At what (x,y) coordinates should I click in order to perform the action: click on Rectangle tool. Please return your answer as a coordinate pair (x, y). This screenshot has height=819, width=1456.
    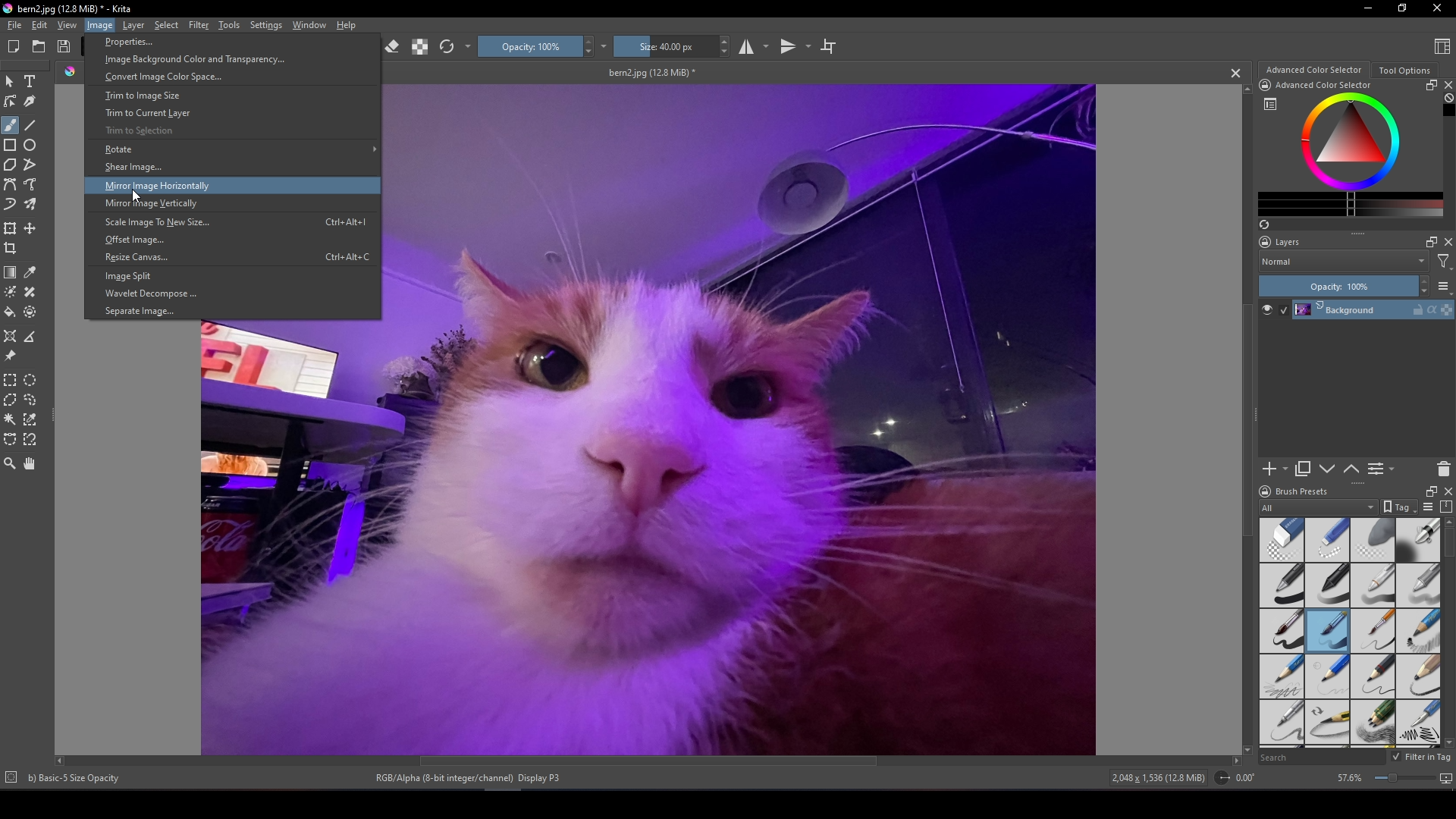
    Looking at the image, I should click on (10, 146).